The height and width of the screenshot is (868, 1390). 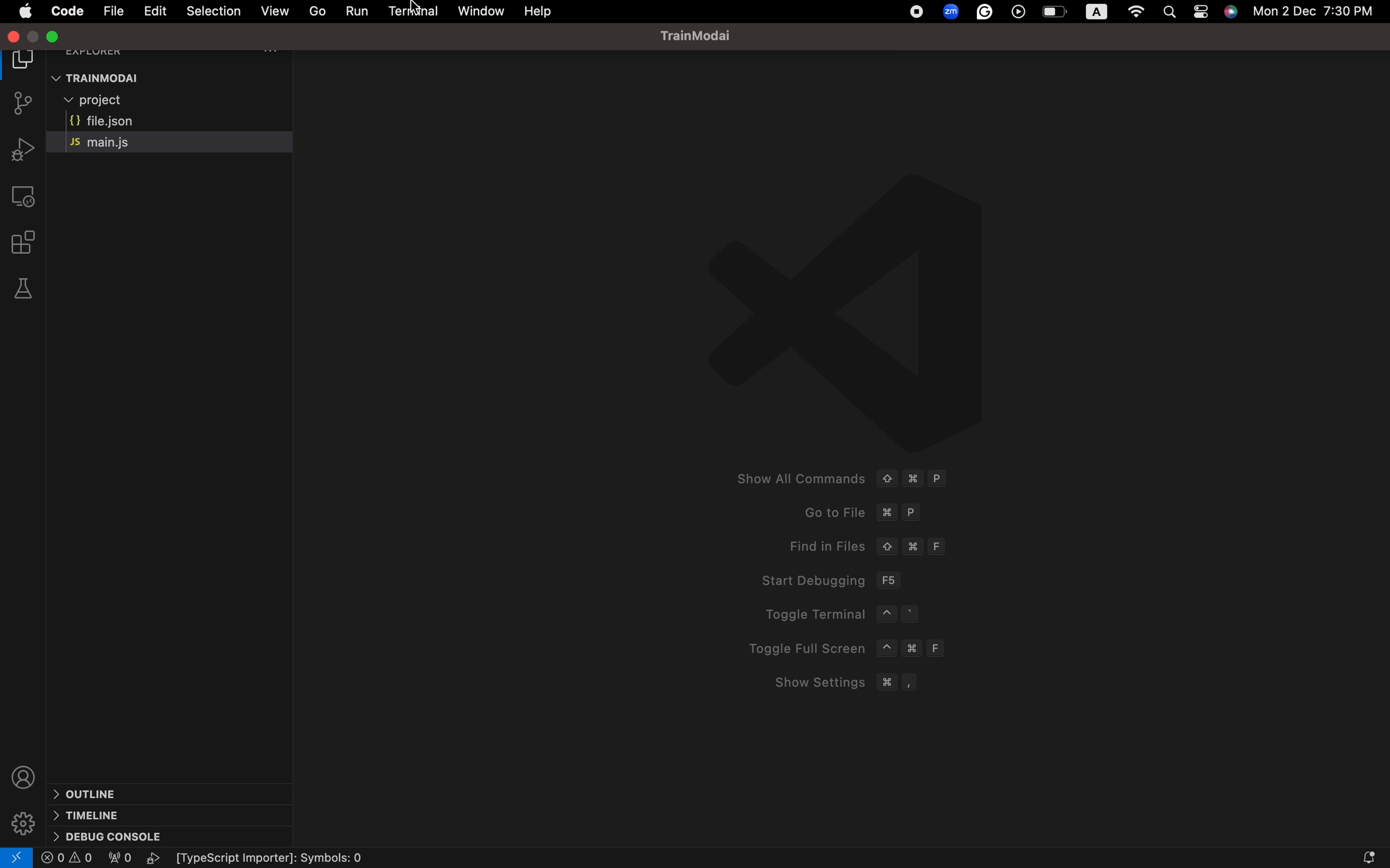 I want to click on zoom, so click(x=949, y=11).